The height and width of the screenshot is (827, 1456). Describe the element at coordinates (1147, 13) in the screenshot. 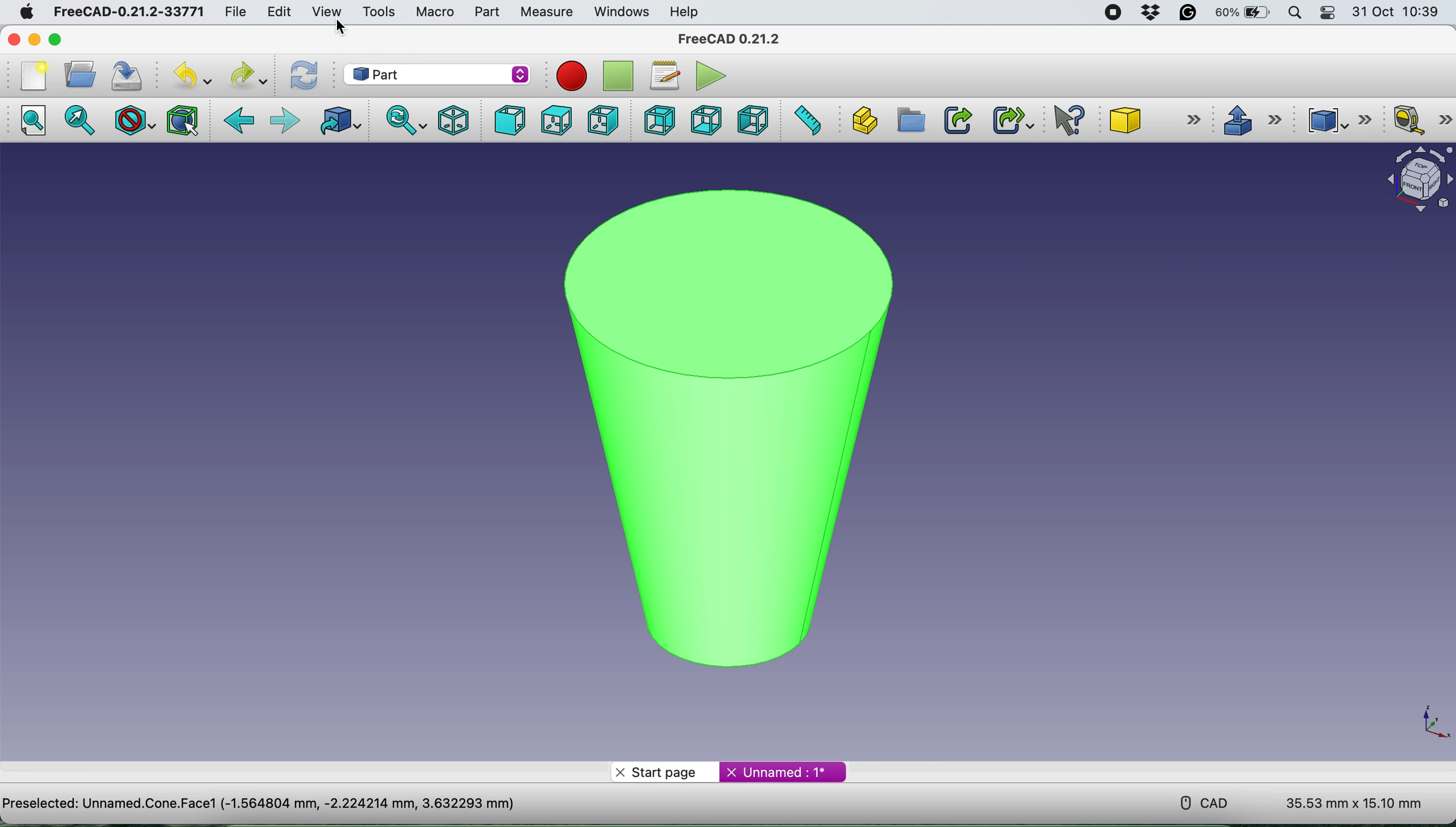

I see `dropbox` at that location.